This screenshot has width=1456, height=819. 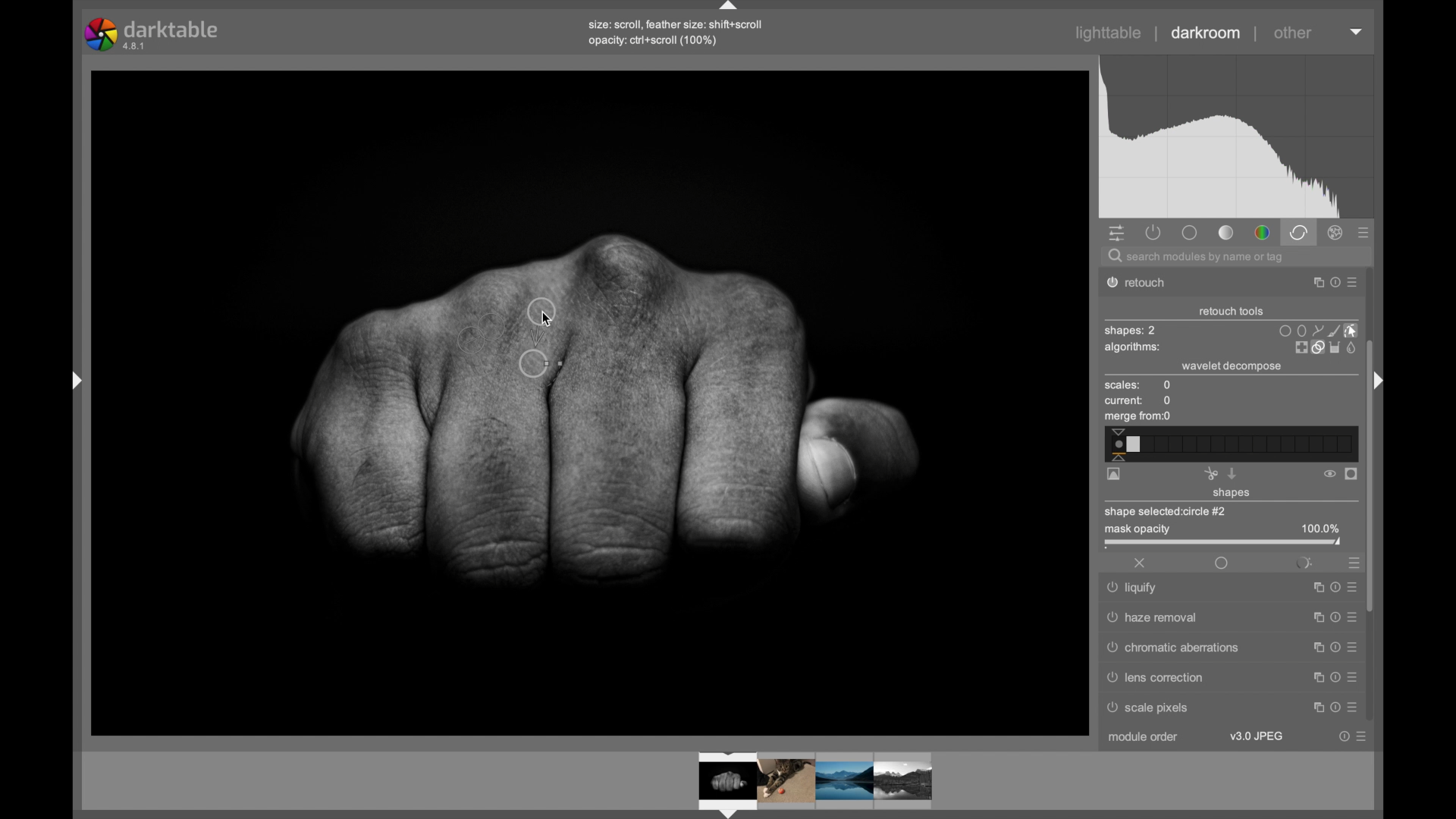 What do you see at coordinates (1293, 33) in the screenshot?
I see `other` at bounding box center [1293, 33].